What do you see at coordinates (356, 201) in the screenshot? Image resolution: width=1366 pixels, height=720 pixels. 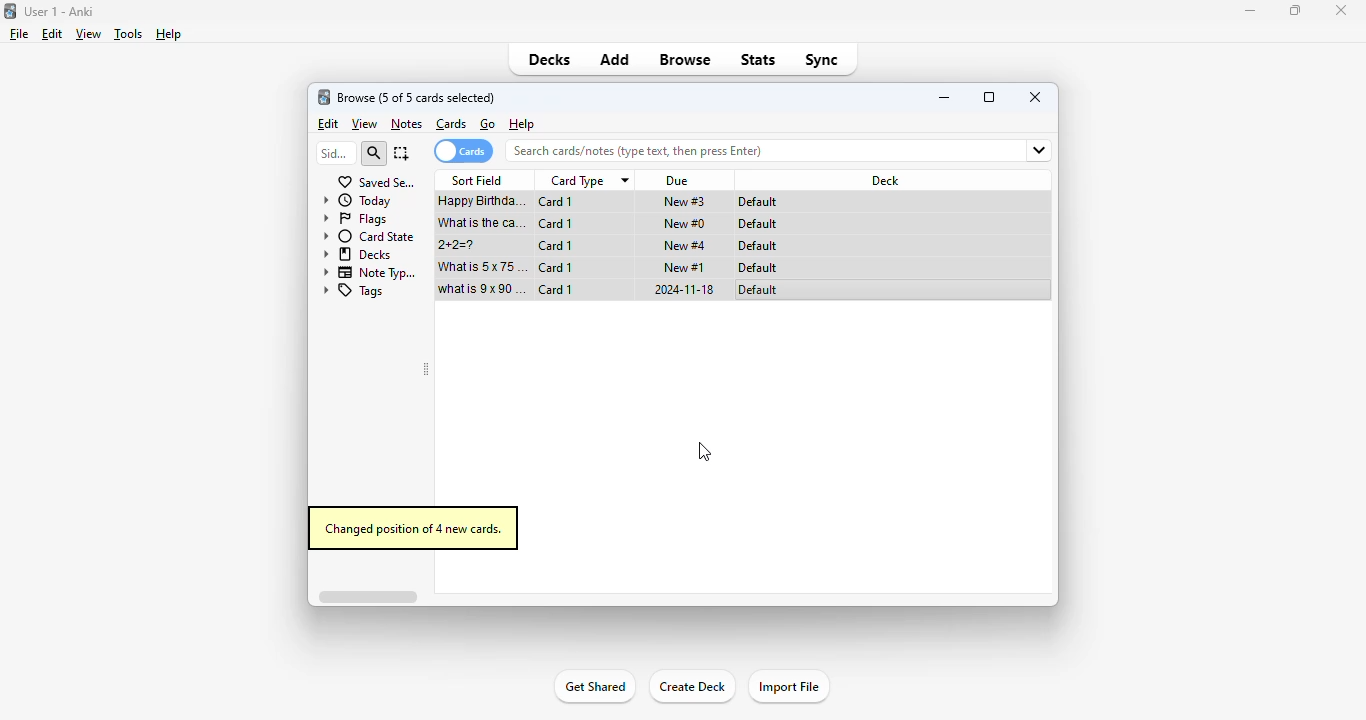 I see `today` at bounding box center [356, 201].